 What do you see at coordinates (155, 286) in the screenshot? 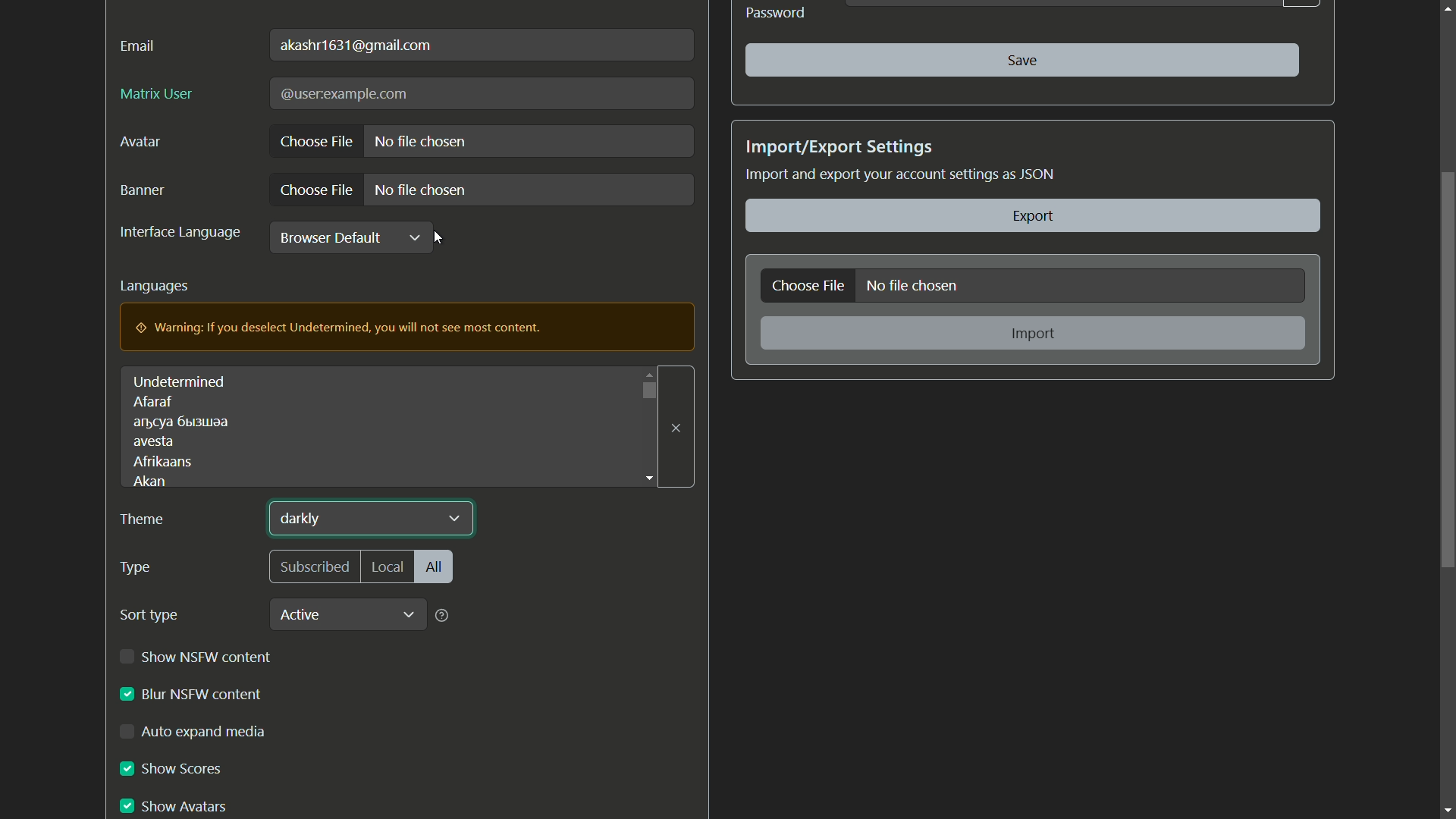
I see `languages` at bounding box center [155, 286].